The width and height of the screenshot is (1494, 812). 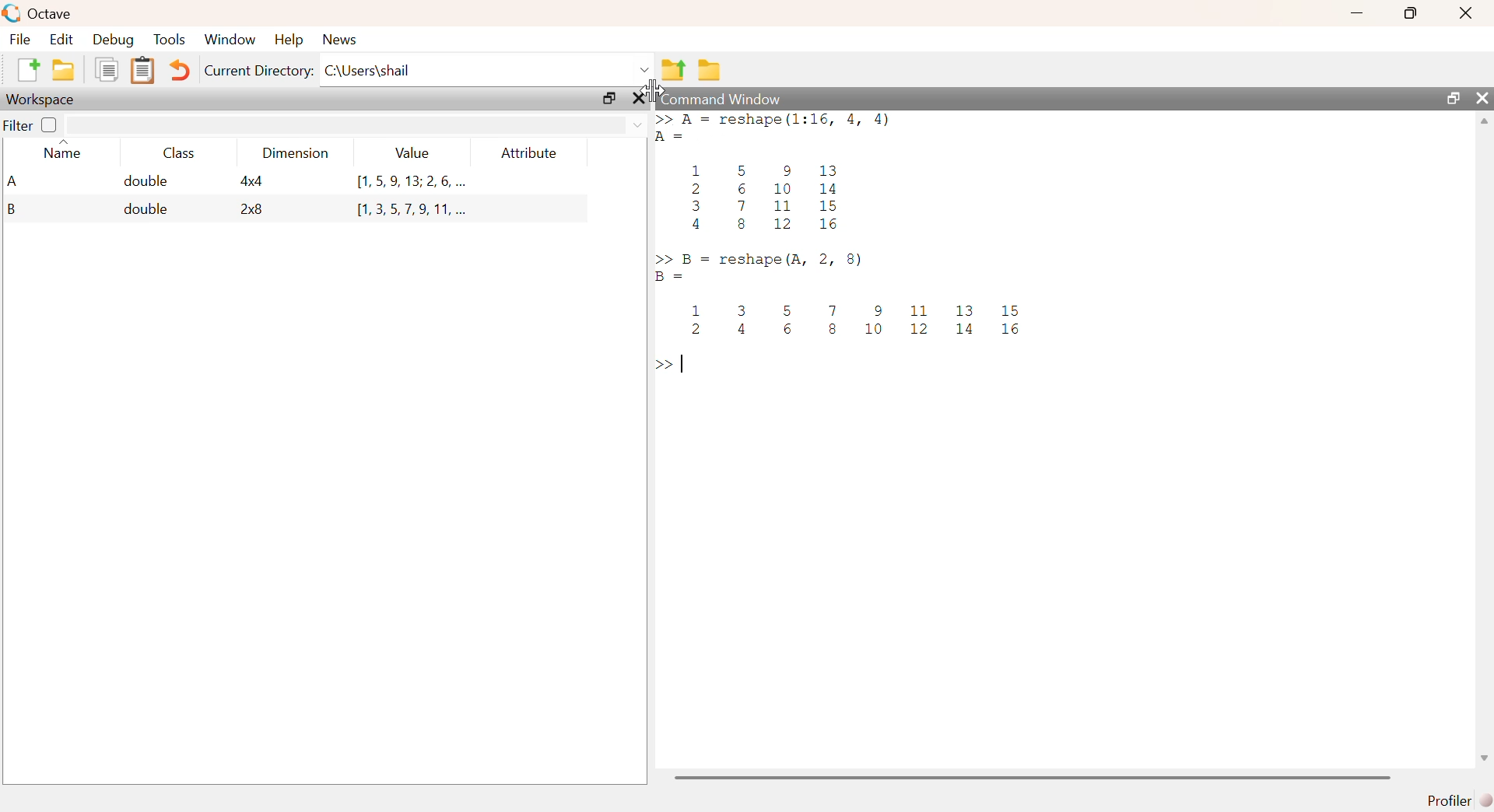 I want to click on maximize, so click(x=1450, y=97).